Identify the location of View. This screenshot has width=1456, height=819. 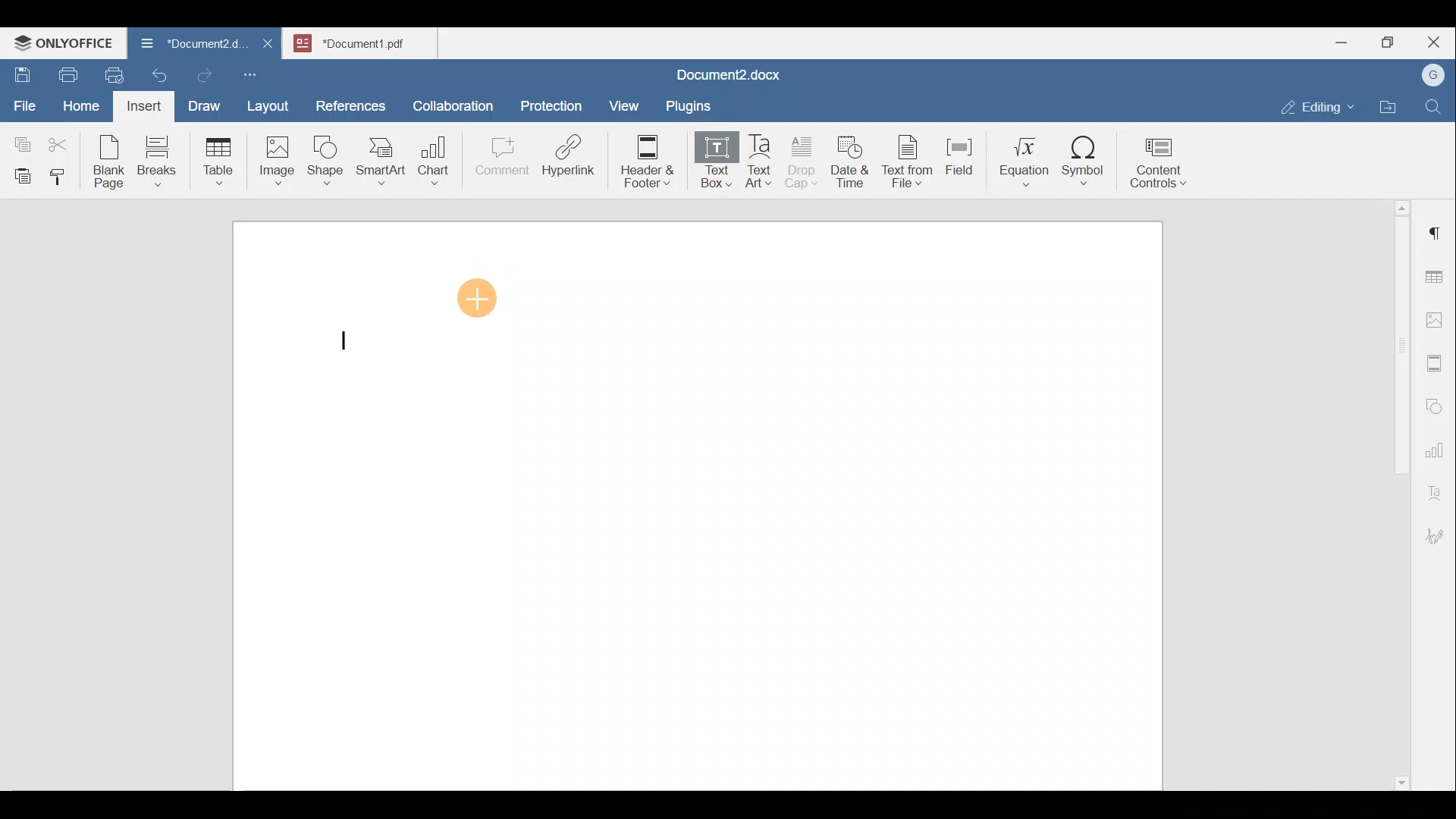
(625, 101).